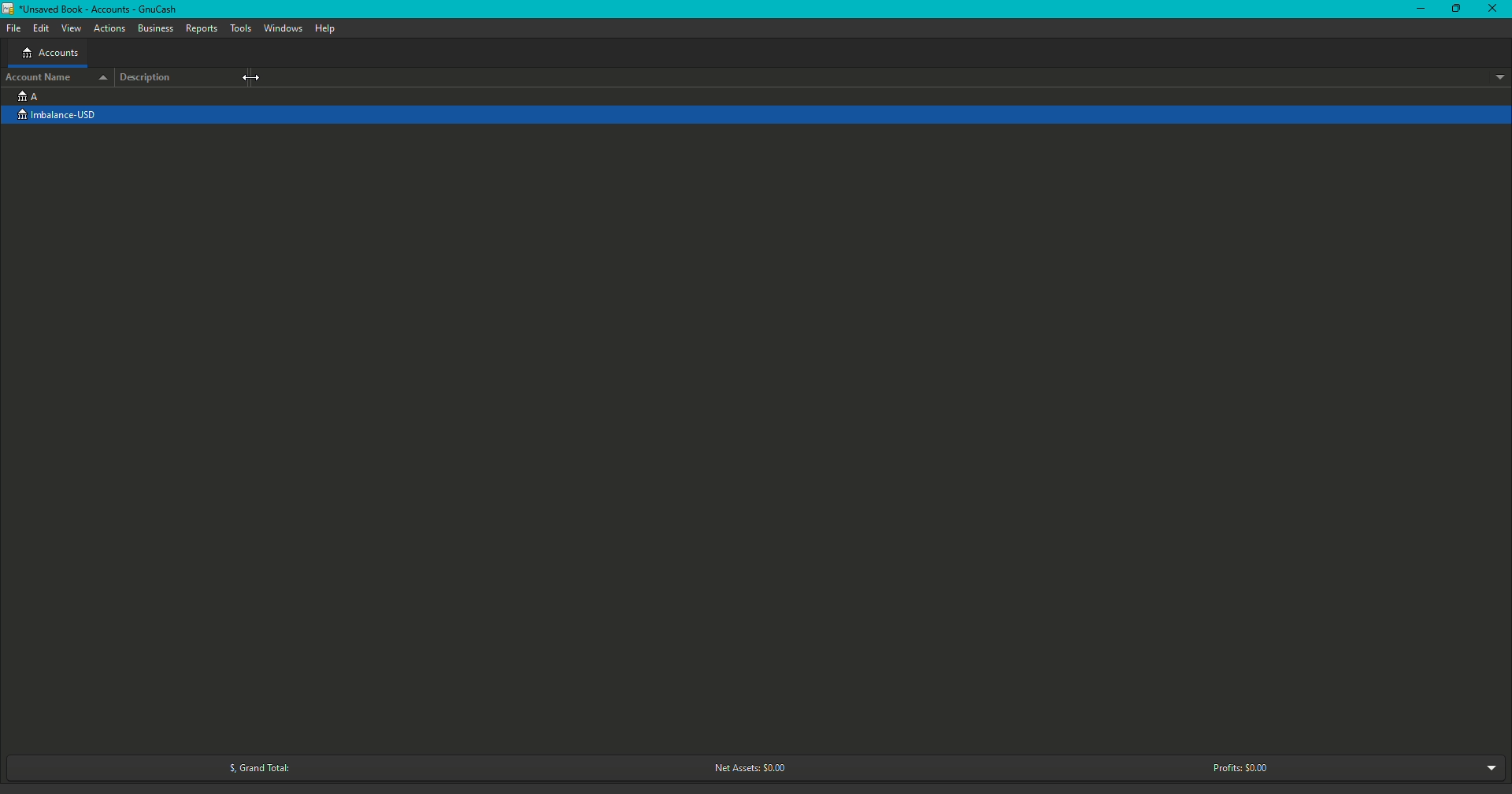 This screenshot has width=1512, height=794. Describe the element at coordinates (746, 769) in the screenshot. I see `Net Assets` at that location.